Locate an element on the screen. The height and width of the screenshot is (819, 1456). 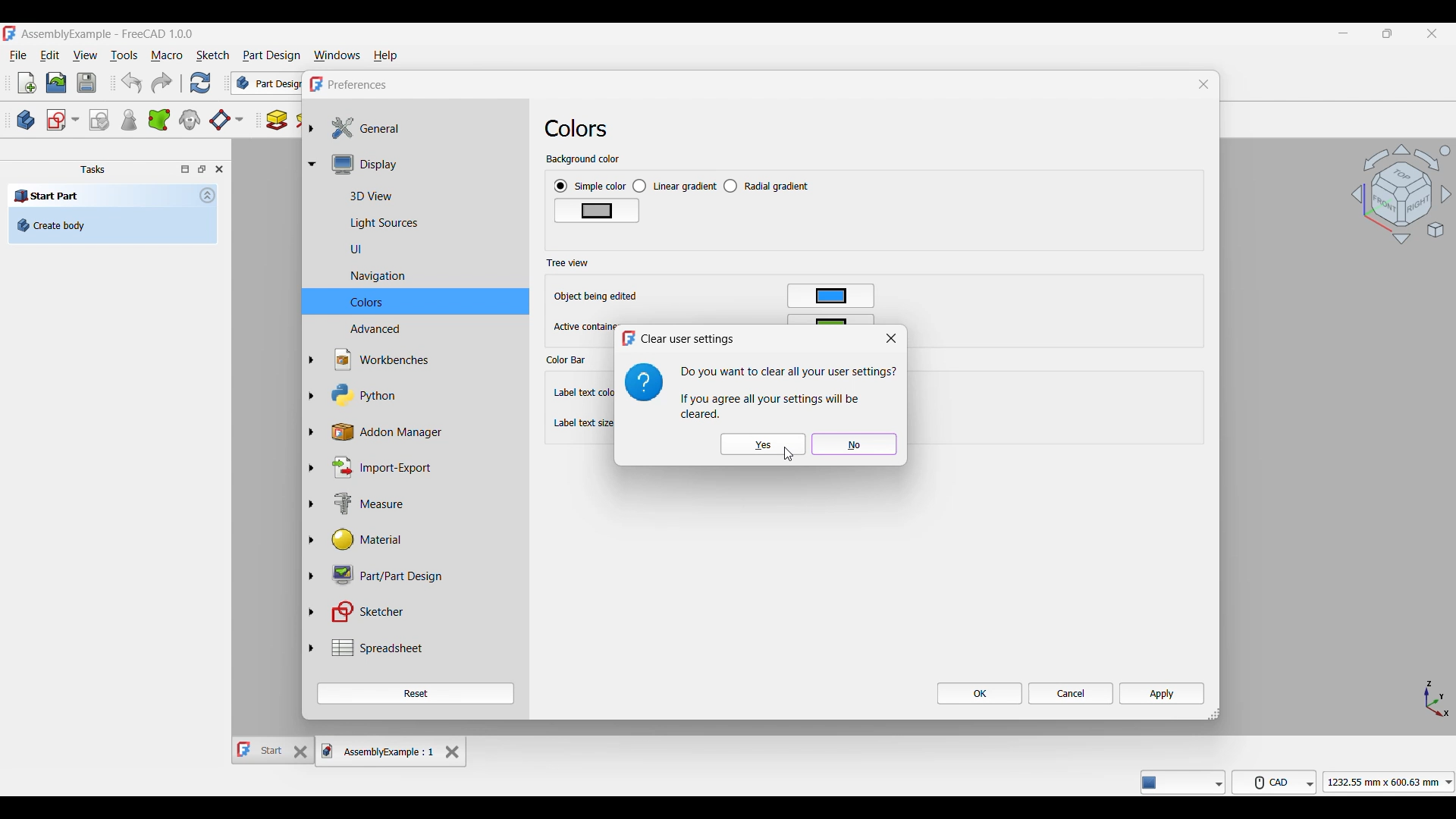
Light sources is located at coordinates (366, 221).